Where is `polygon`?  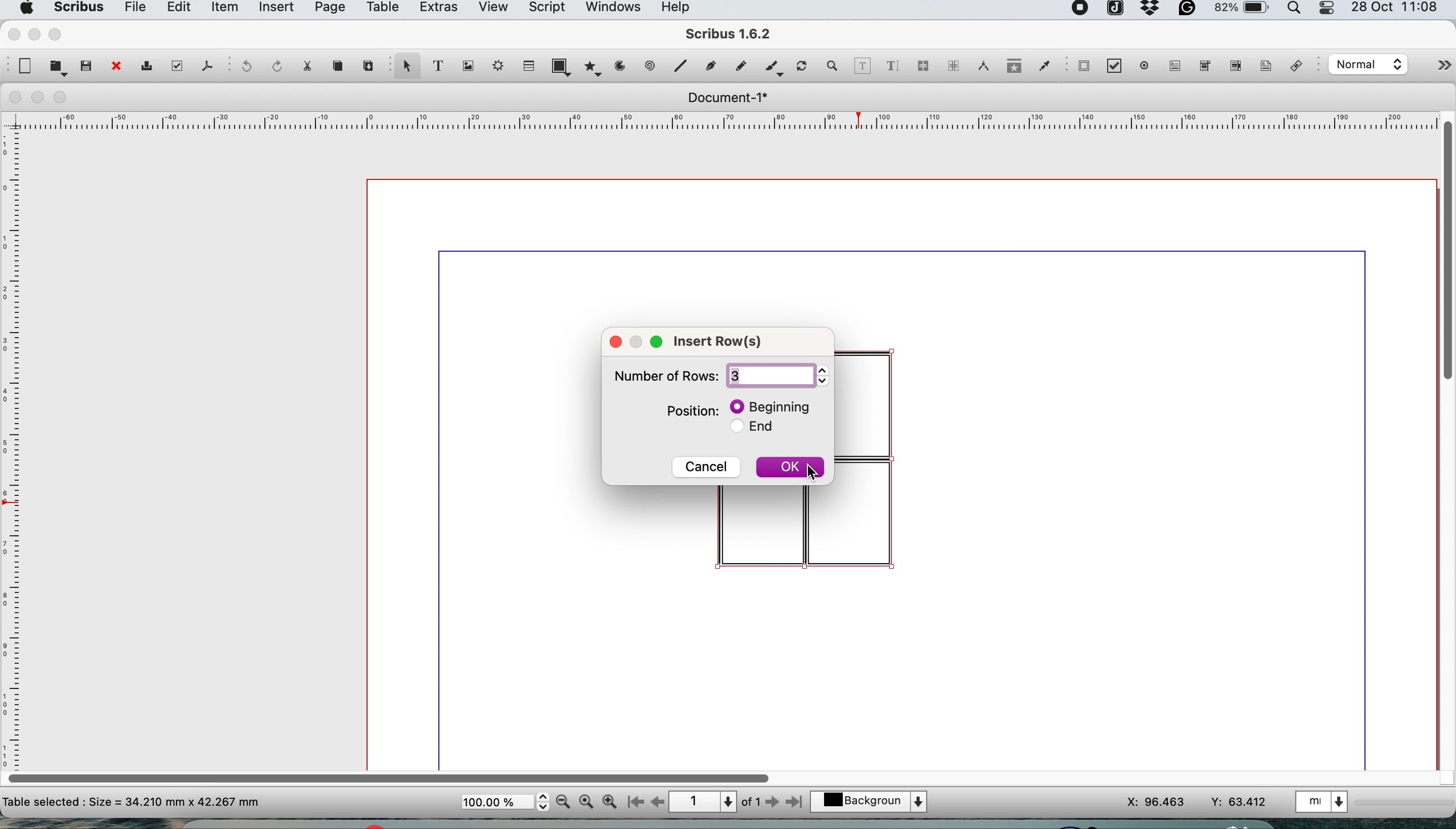 polygon is located at coordinates (595, 66).